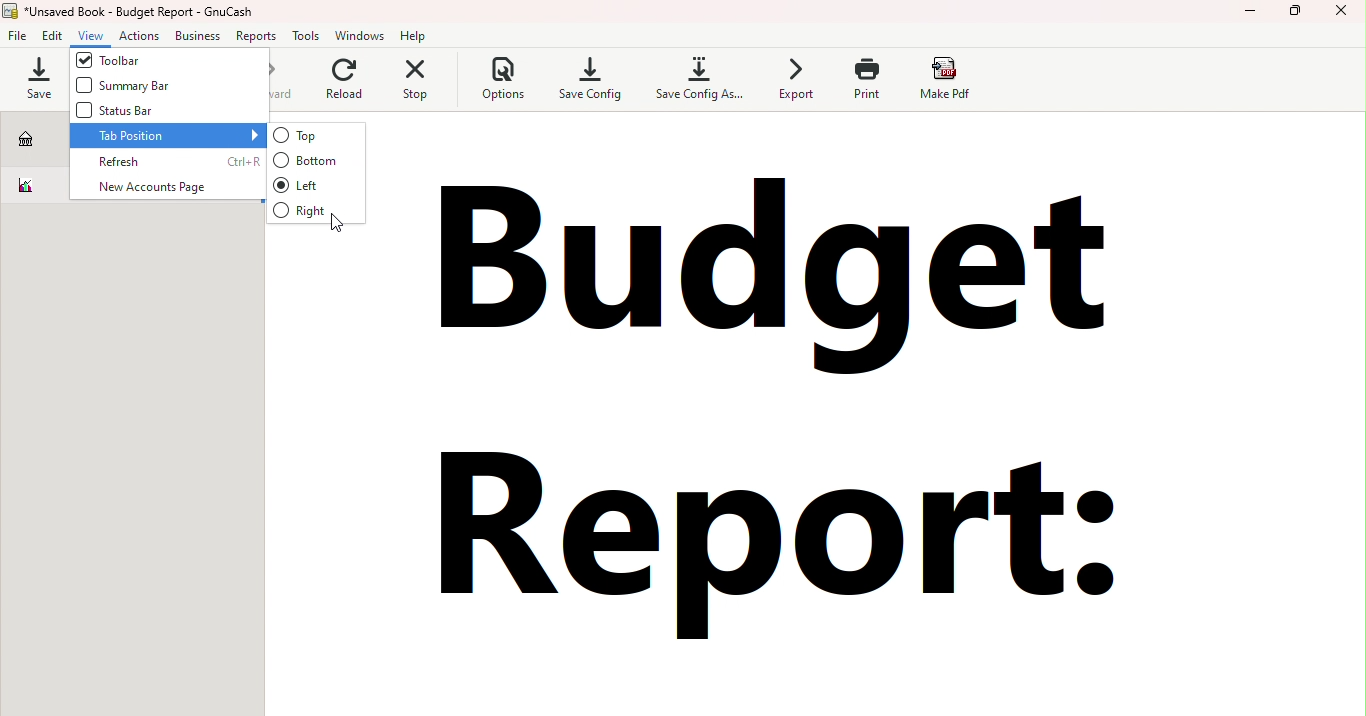 The height and width of the screenshot is (716, 1366). I want to click on cursor, so click(336, 223).